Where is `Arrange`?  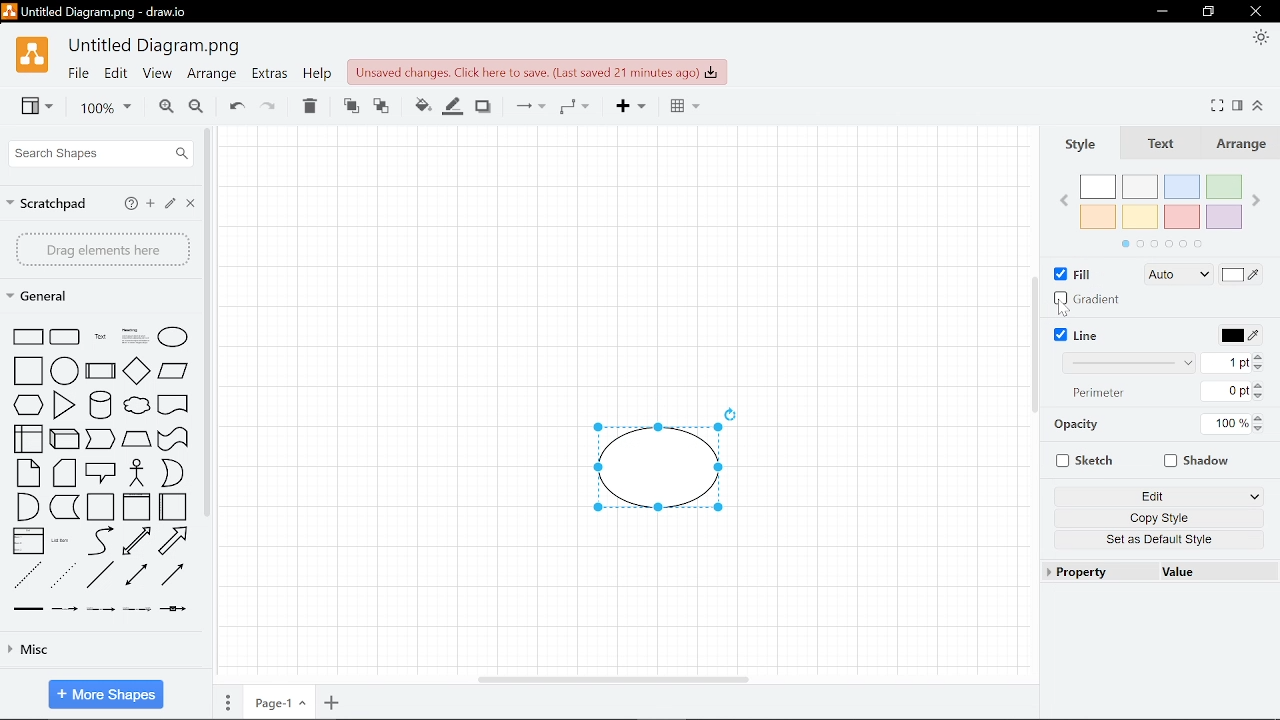 Arrange is located at coordinates (212, 75).